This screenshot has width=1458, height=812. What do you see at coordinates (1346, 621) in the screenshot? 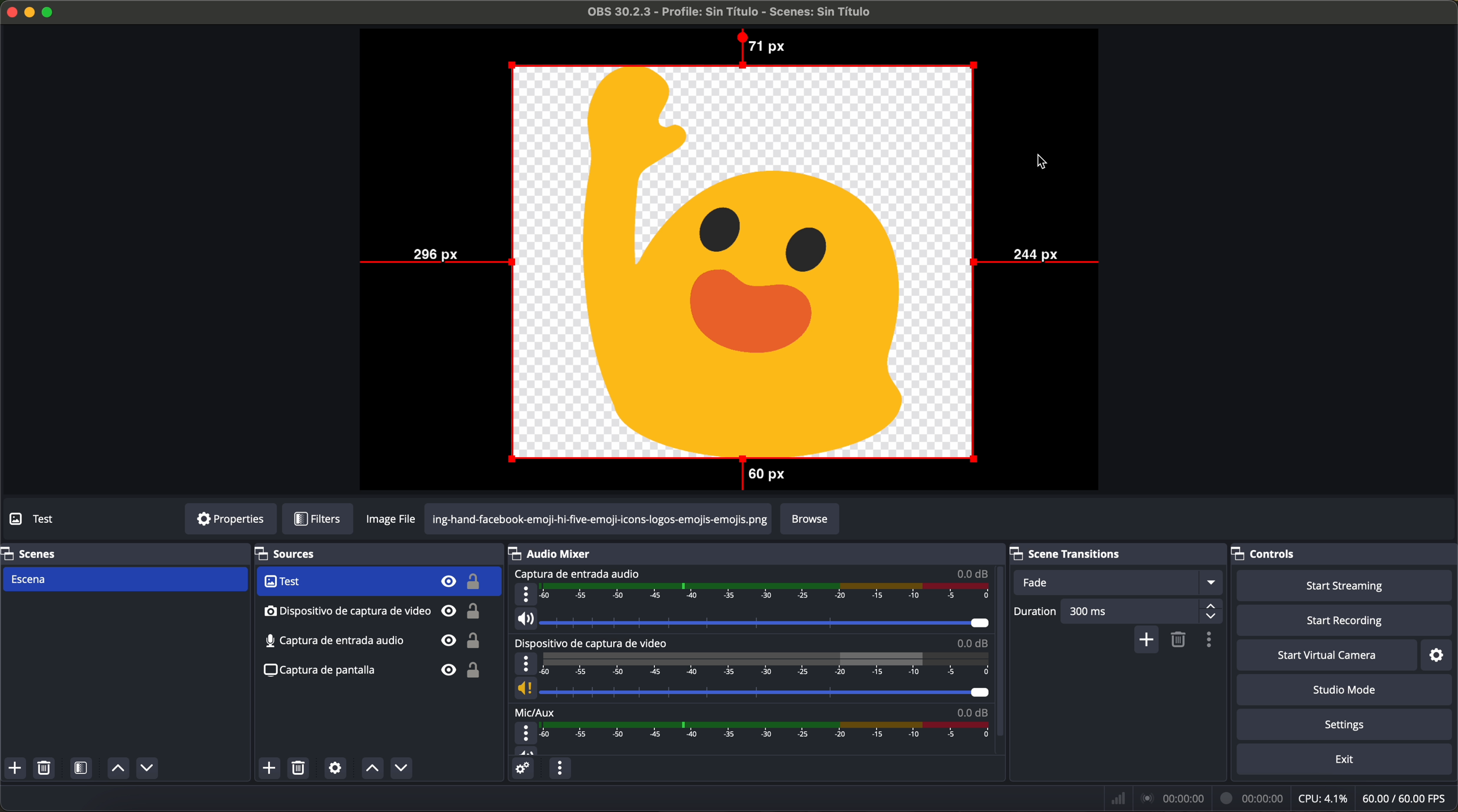
I see `start recording` at bounding box center [1346, 621].